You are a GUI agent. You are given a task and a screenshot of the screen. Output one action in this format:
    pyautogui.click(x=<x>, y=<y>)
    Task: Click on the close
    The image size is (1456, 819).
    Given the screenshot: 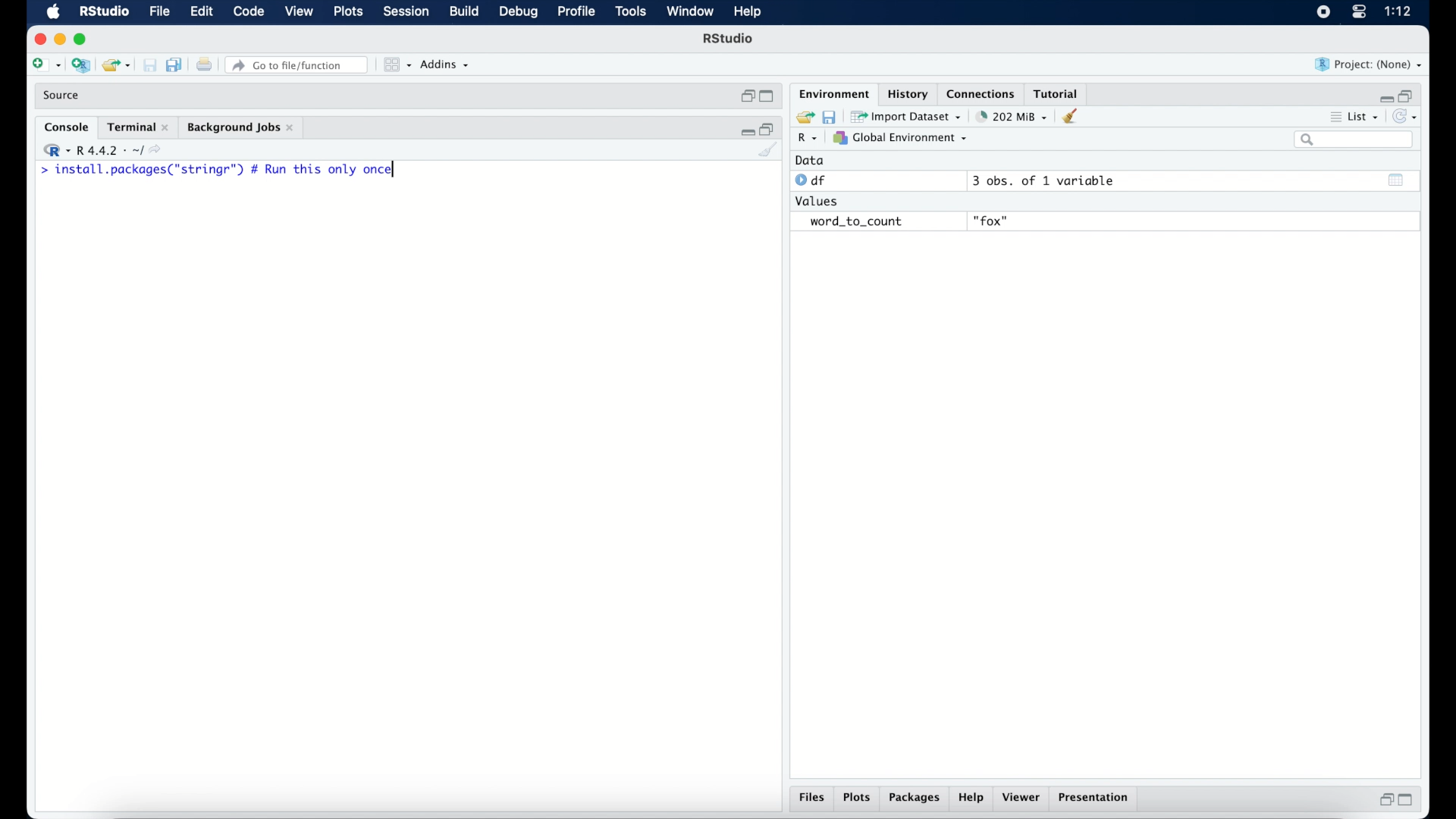 What is the action you would take?
    pyautogui.click(x=38, y=39)
    